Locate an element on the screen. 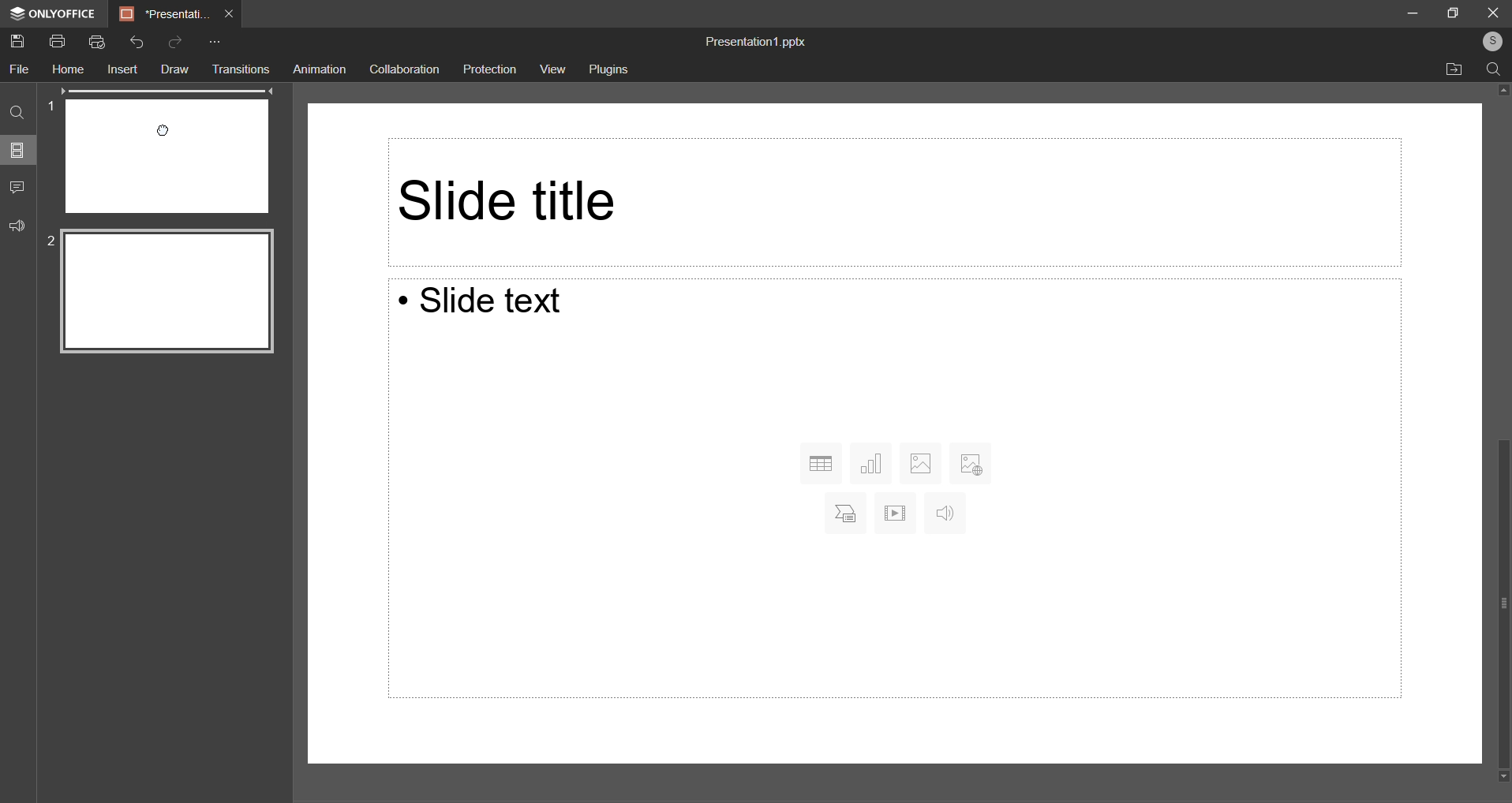 This screenshot has width=1512, height=803. Logo is located at coordinates (50, 15).